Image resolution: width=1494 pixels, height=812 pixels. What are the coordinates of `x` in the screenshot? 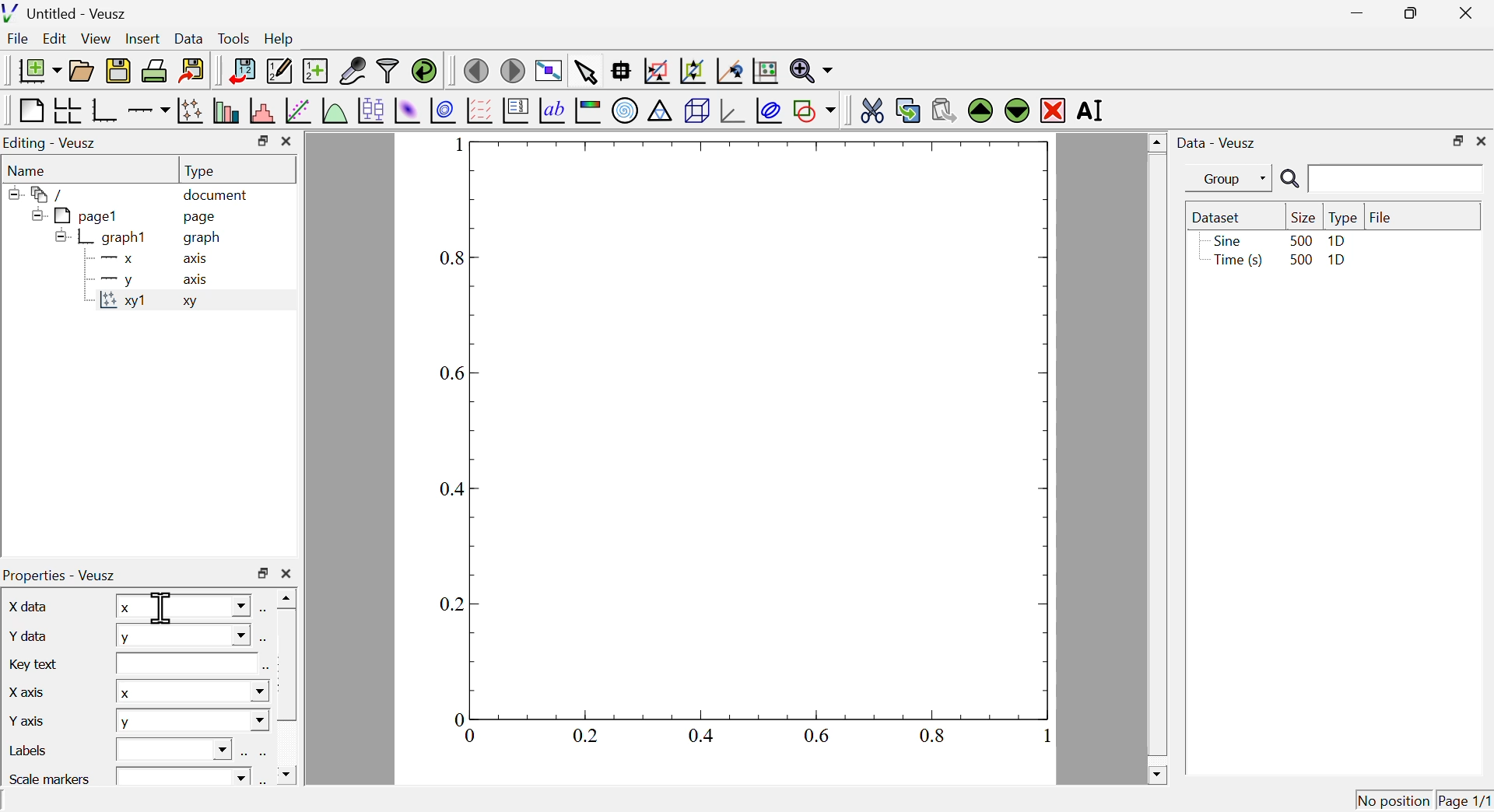 It's located at (184, 606).